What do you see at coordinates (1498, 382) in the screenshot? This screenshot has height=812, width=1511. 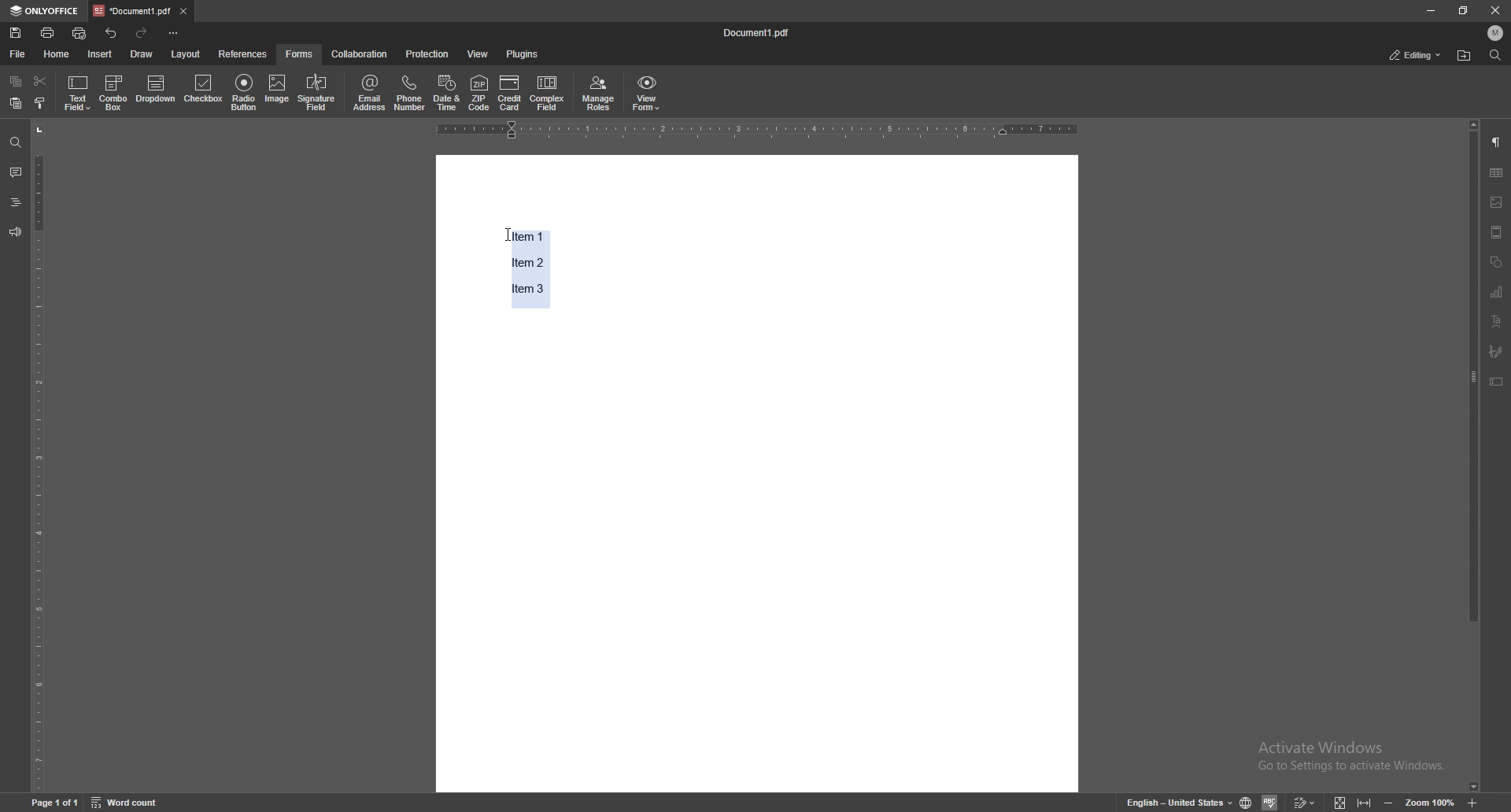 I see `text box` at bounding box center [1498, 382].